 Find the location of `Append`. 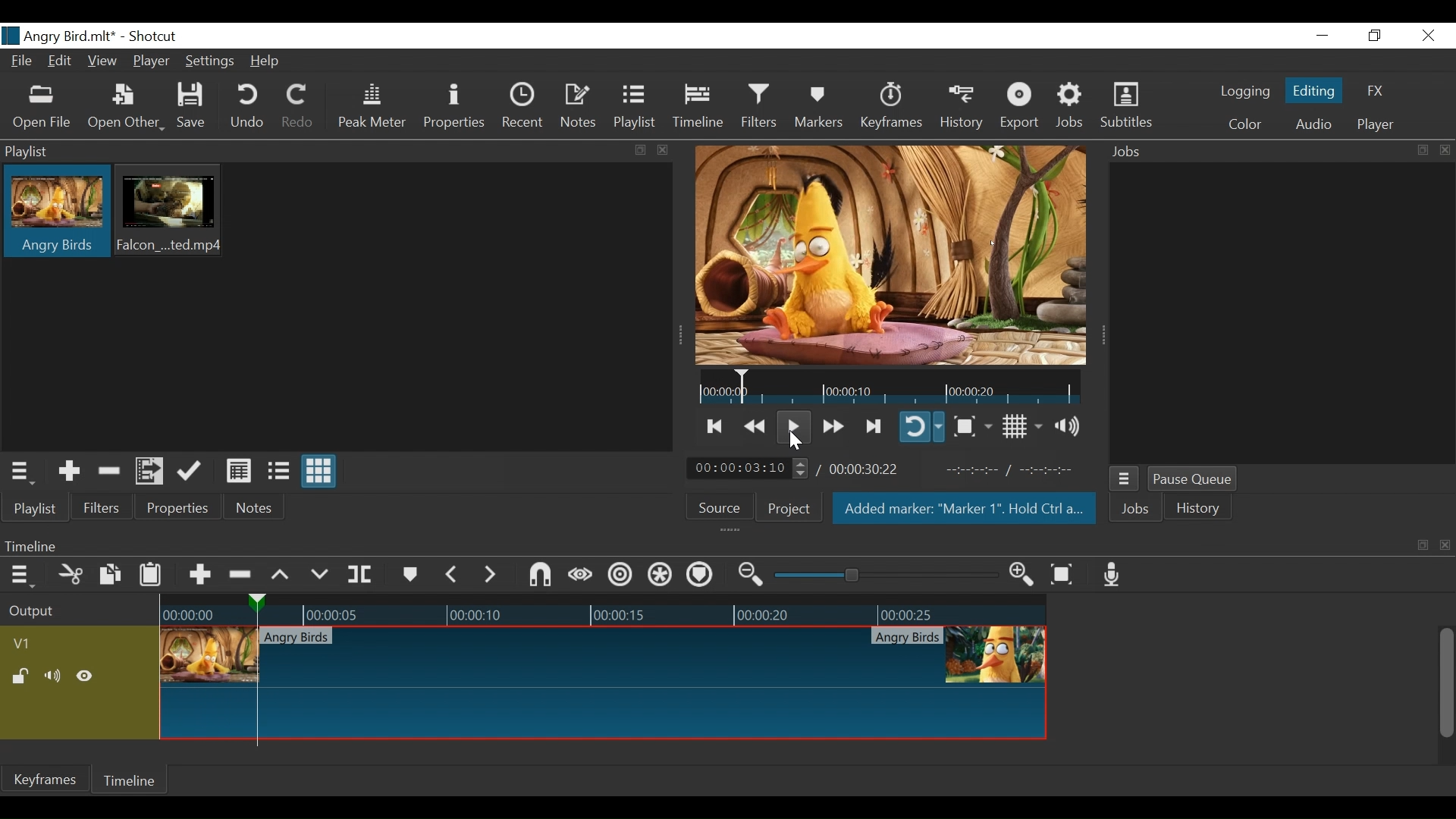

Append is located at coordinates (201, 573).